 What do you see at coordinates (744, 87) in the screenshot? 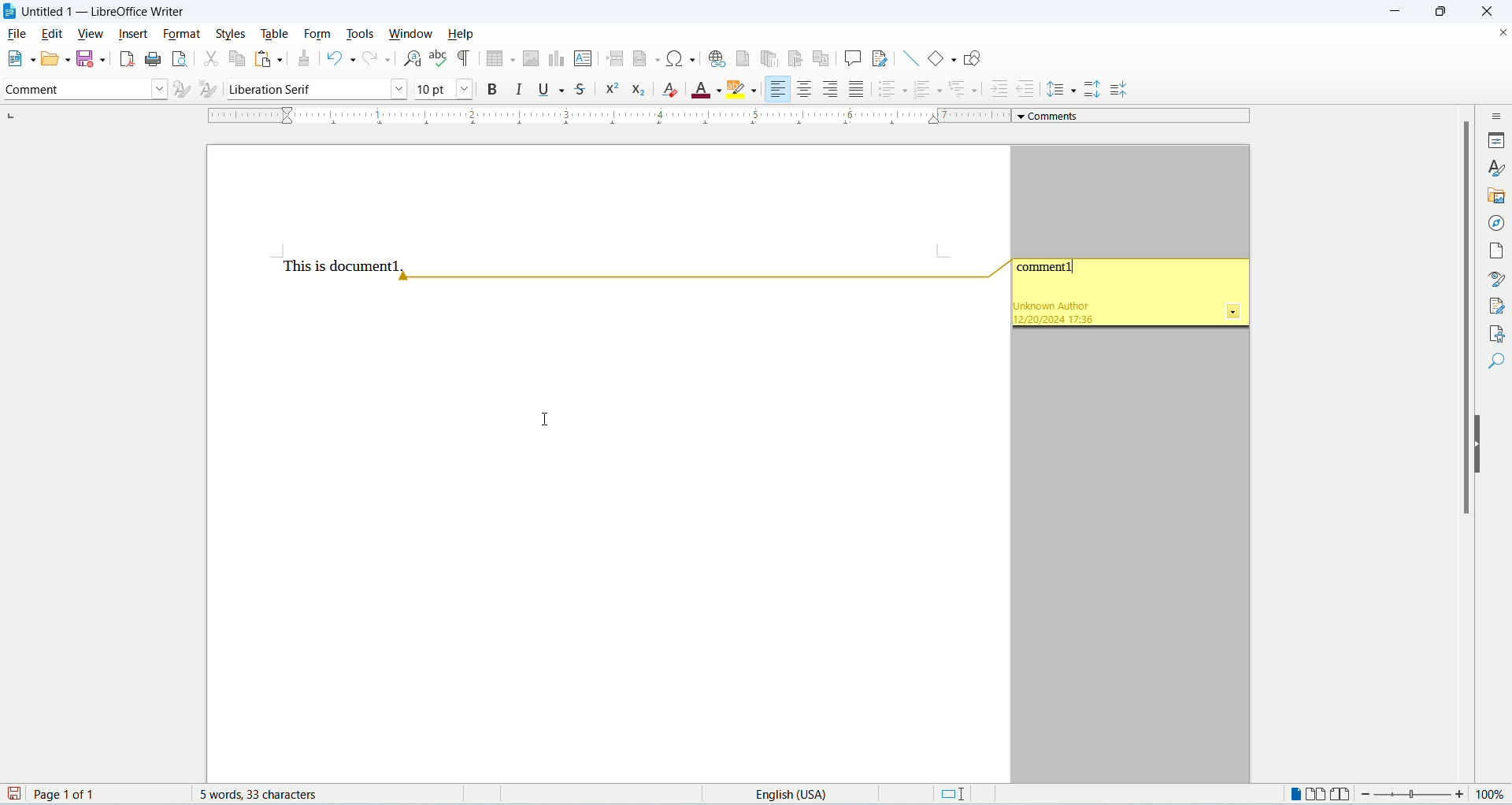
I see `highlighting color` at bounding box center [744, 87].